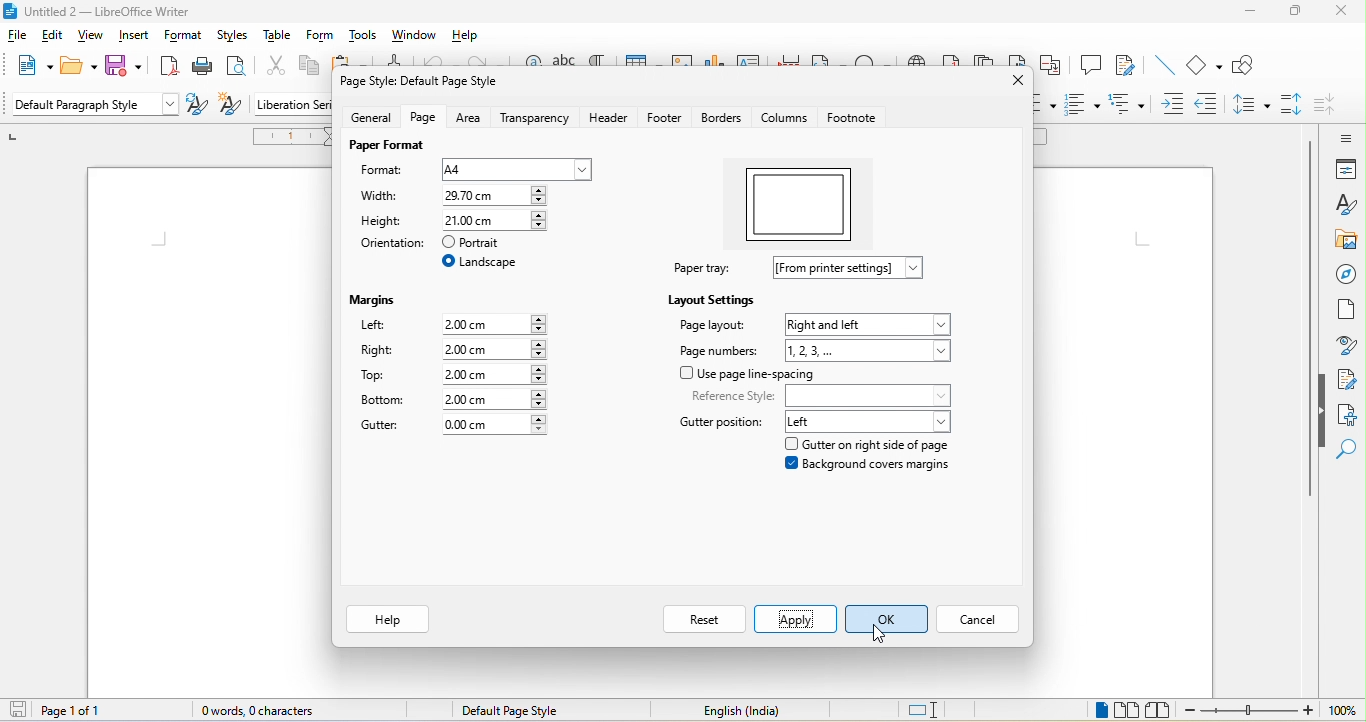 The height and width of the screenshot is (722, 1366). Describe the element at coordinates (1010, 85) in the screenshot. I see `close` at that location.